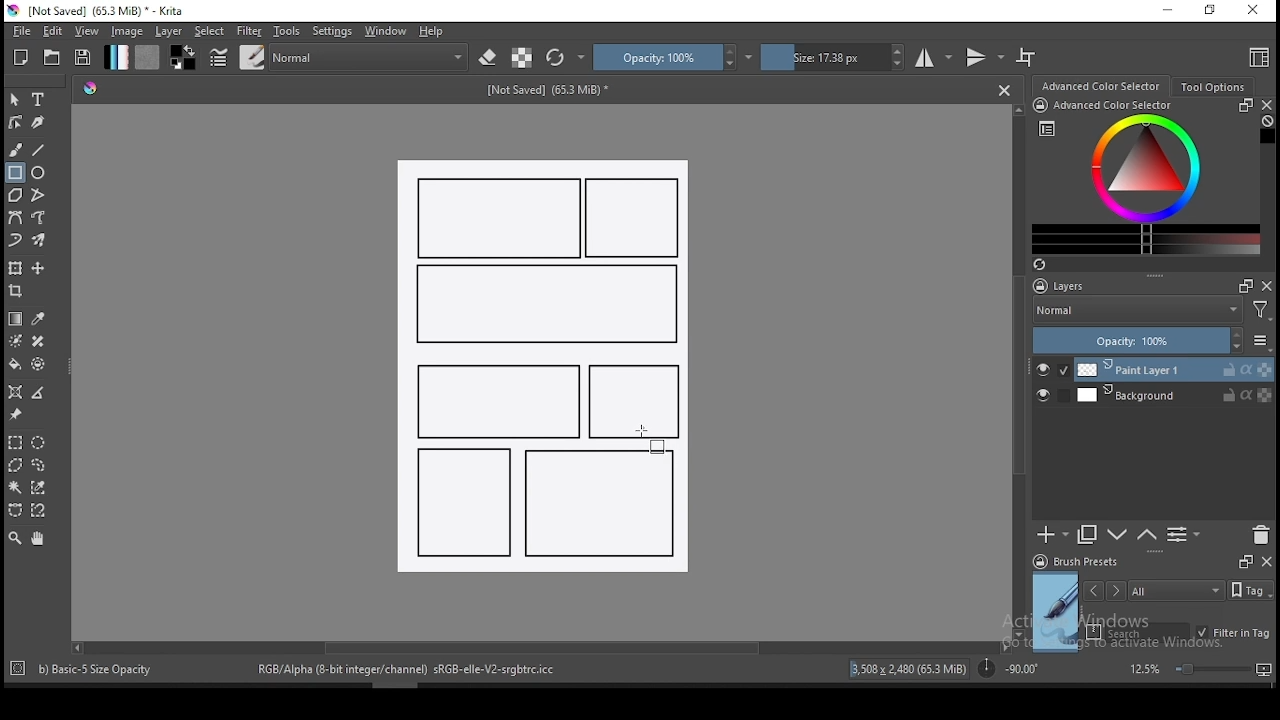 The width and height of the screenshot is (1280, 720). Describe the element at coordinates (248, 31) in the screenshot. I see `filter` at that location.